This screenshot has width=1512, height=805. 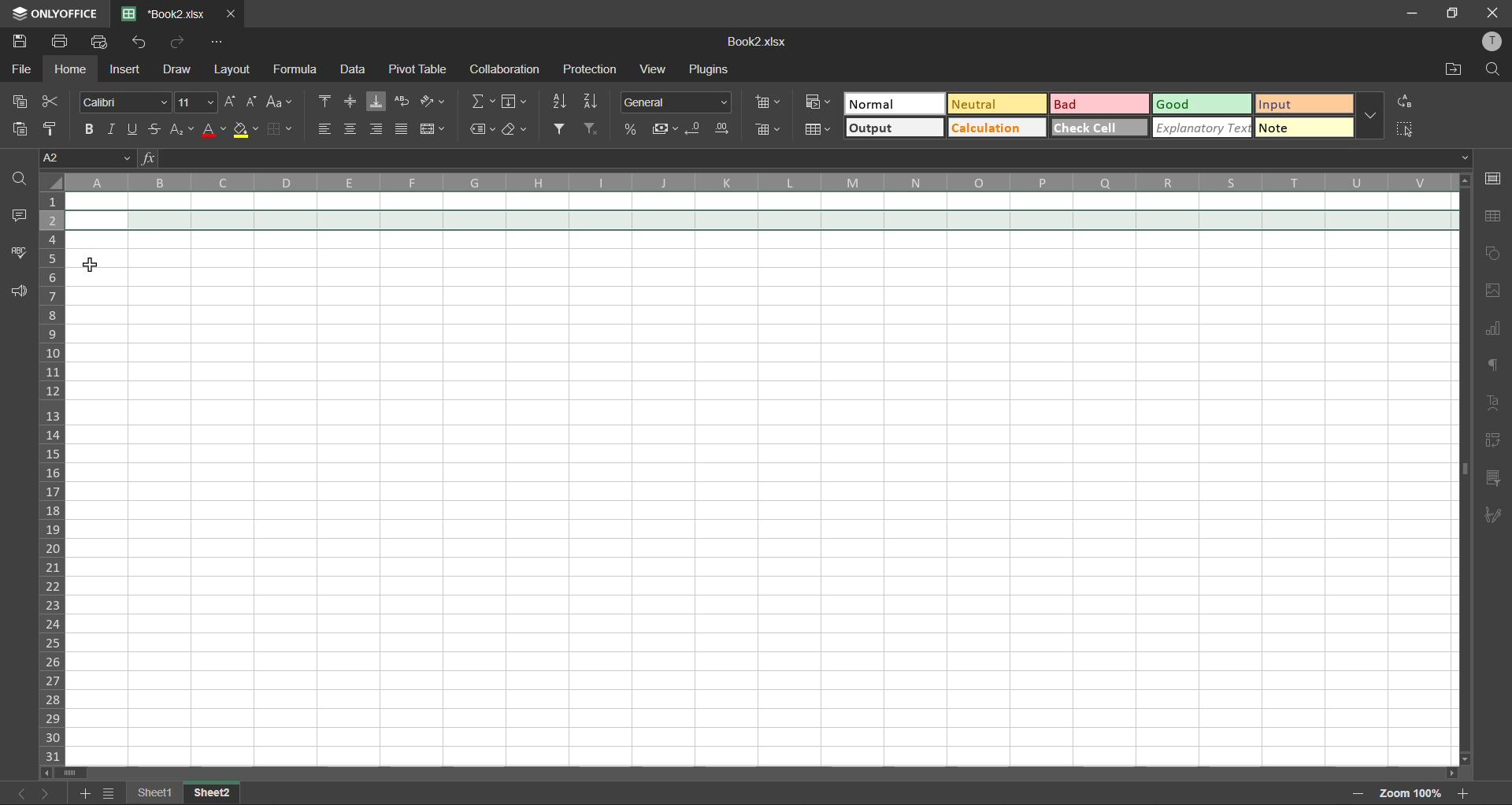 What do you see at coordinates (1493, 514) in the screenshot?
I see `signature` at bounding box center [1493, 514].